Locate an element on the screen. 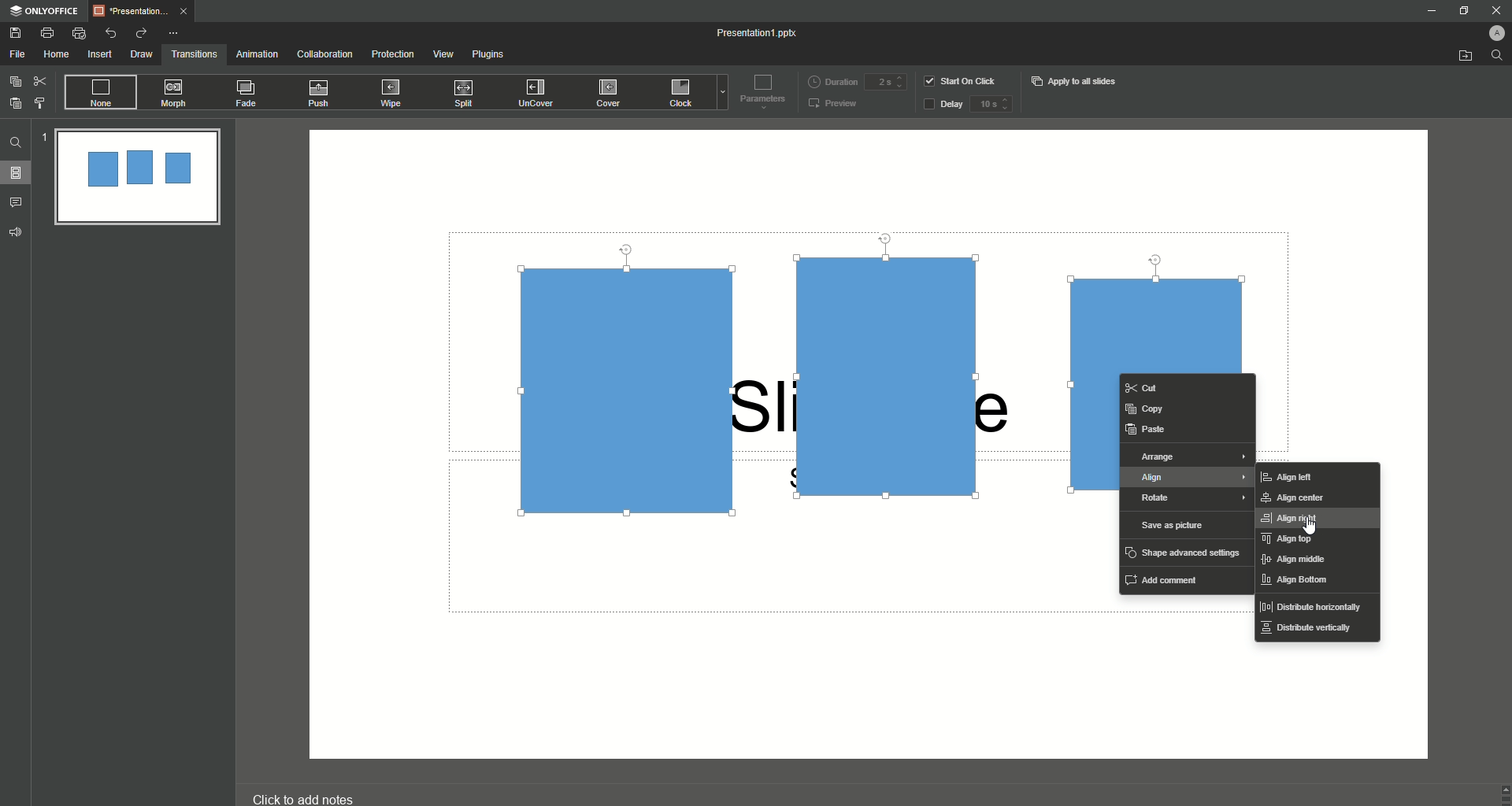 The image size is (1512, 806). Distribute horizontally is located at coordinates (1311, 608).